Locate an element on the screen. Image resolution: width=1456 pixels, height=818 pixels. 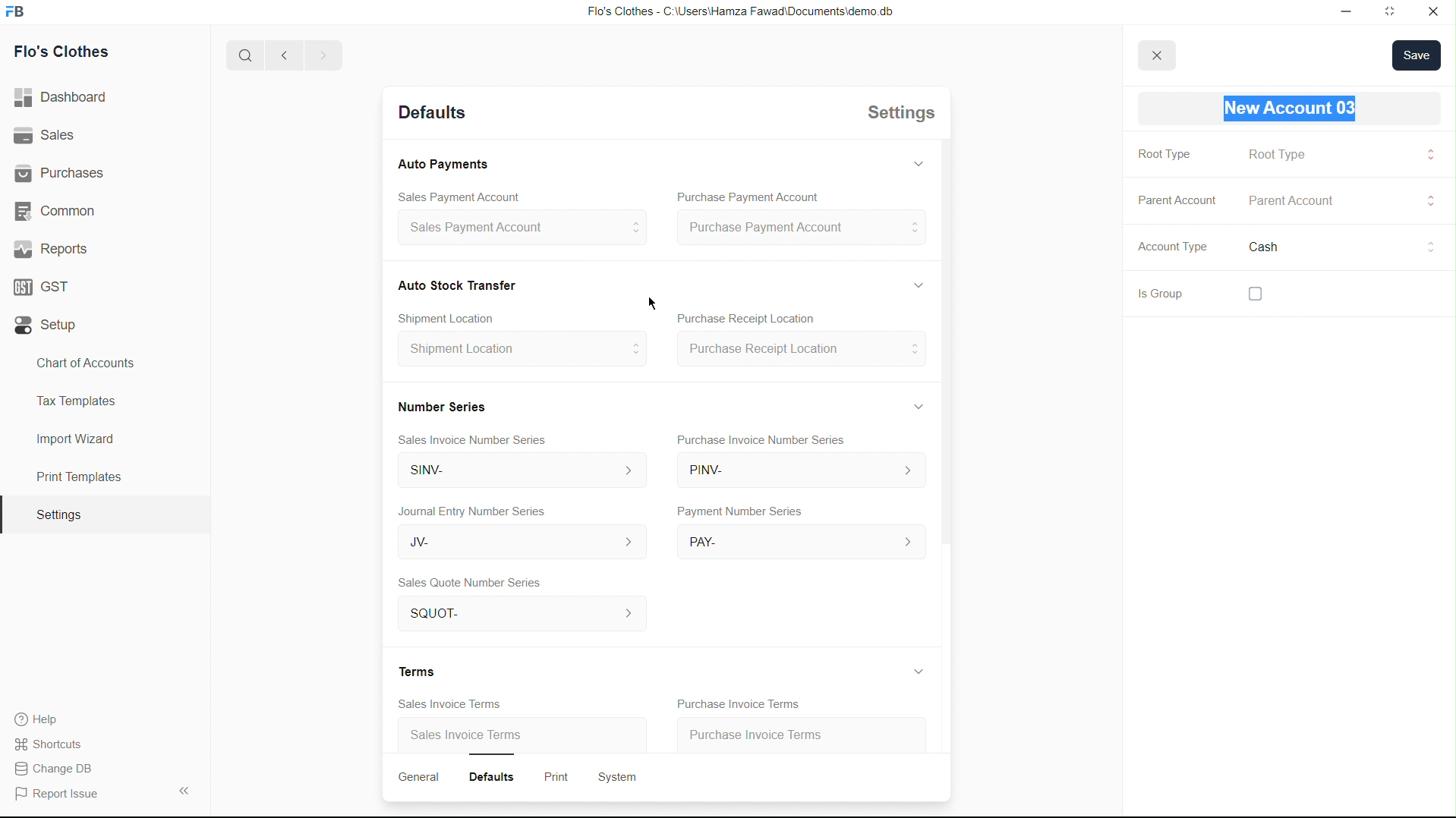
Purchase Invoice Terms is located at coordinates (735, 702).